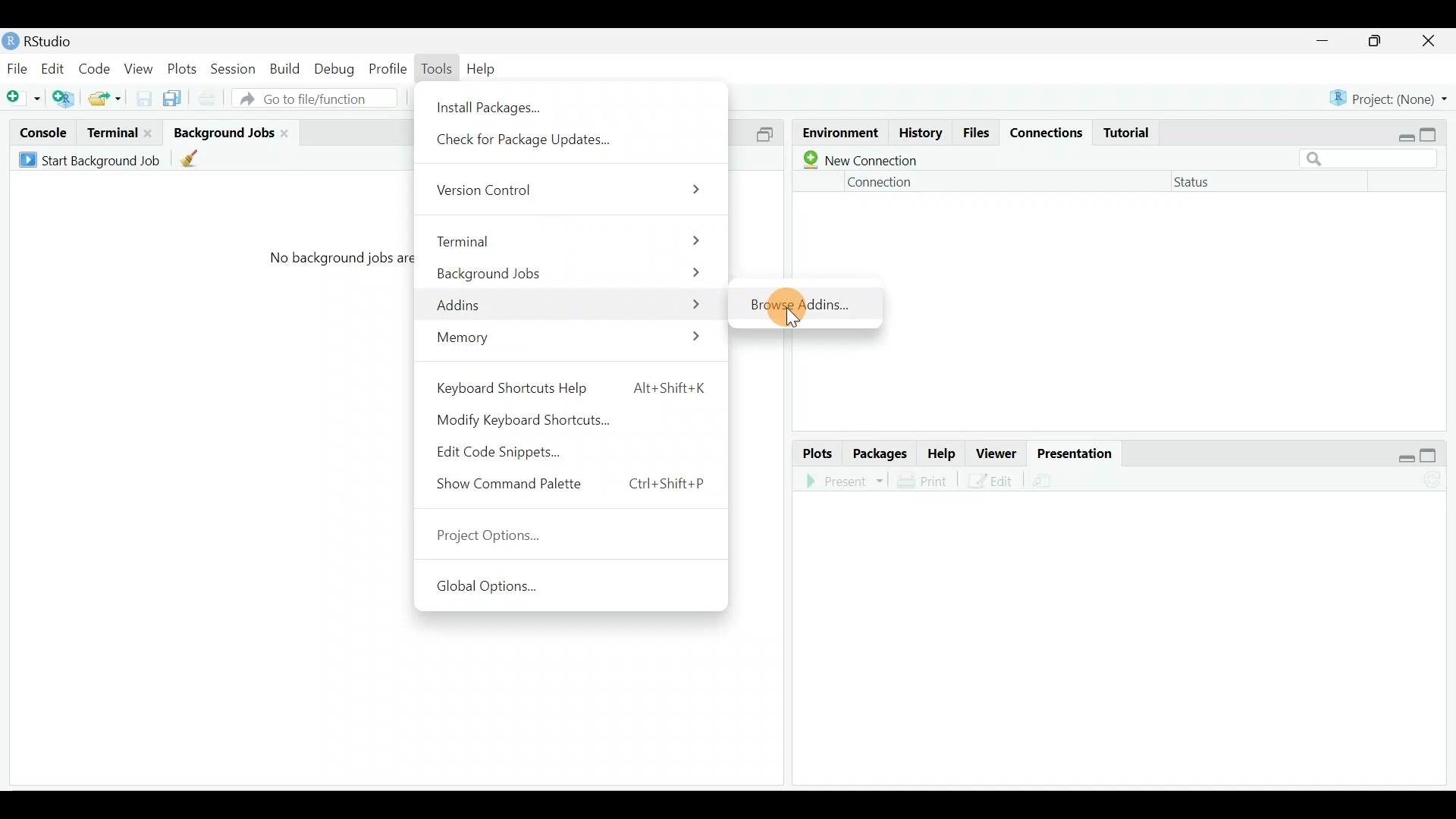  I want to click on New connection, so click(861, 157).